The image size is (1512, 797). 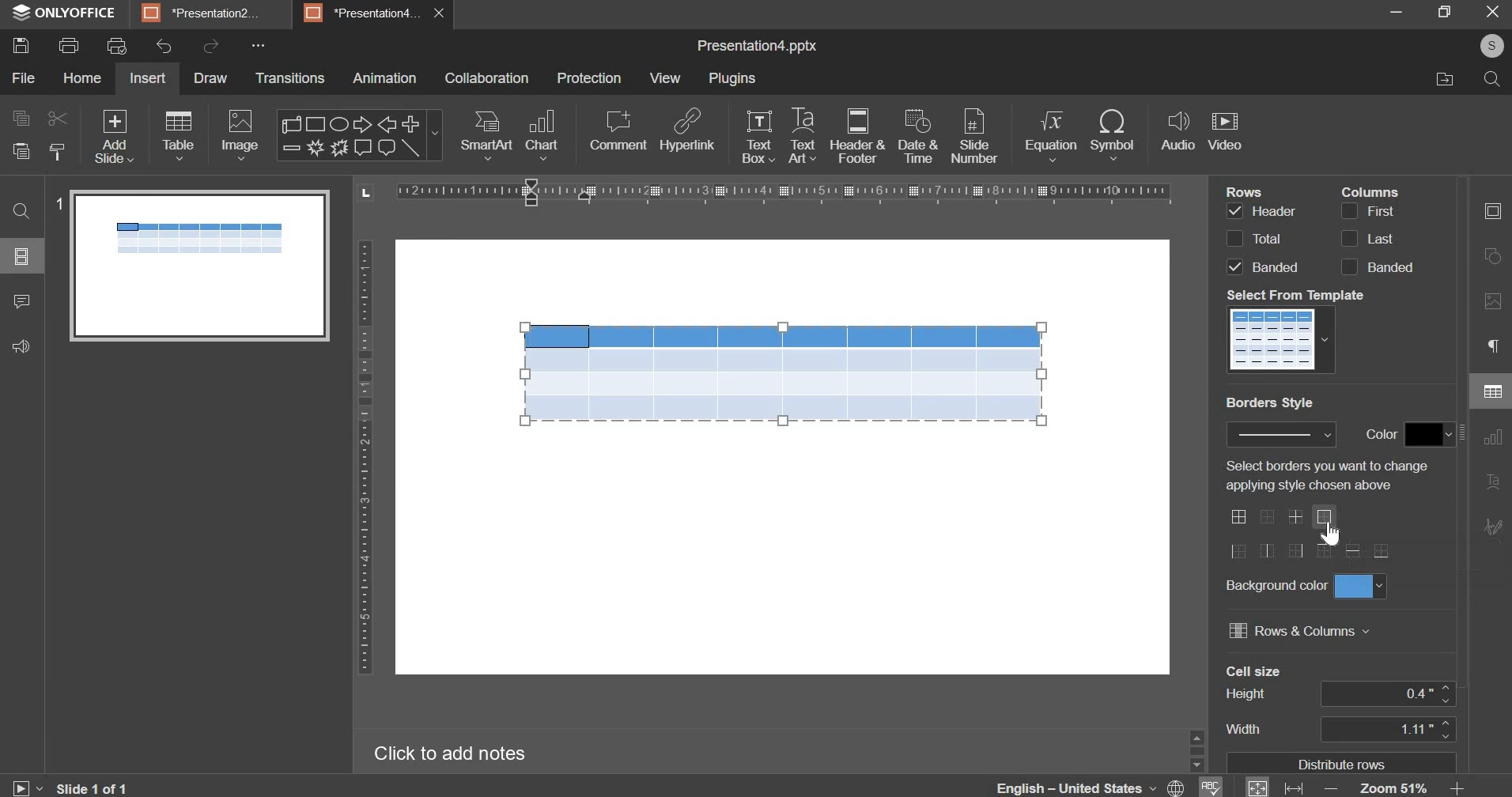 What do you see at coordinates (1050, 135) in the screenshot?
I see `equation` at bounding box center [1050, 135].